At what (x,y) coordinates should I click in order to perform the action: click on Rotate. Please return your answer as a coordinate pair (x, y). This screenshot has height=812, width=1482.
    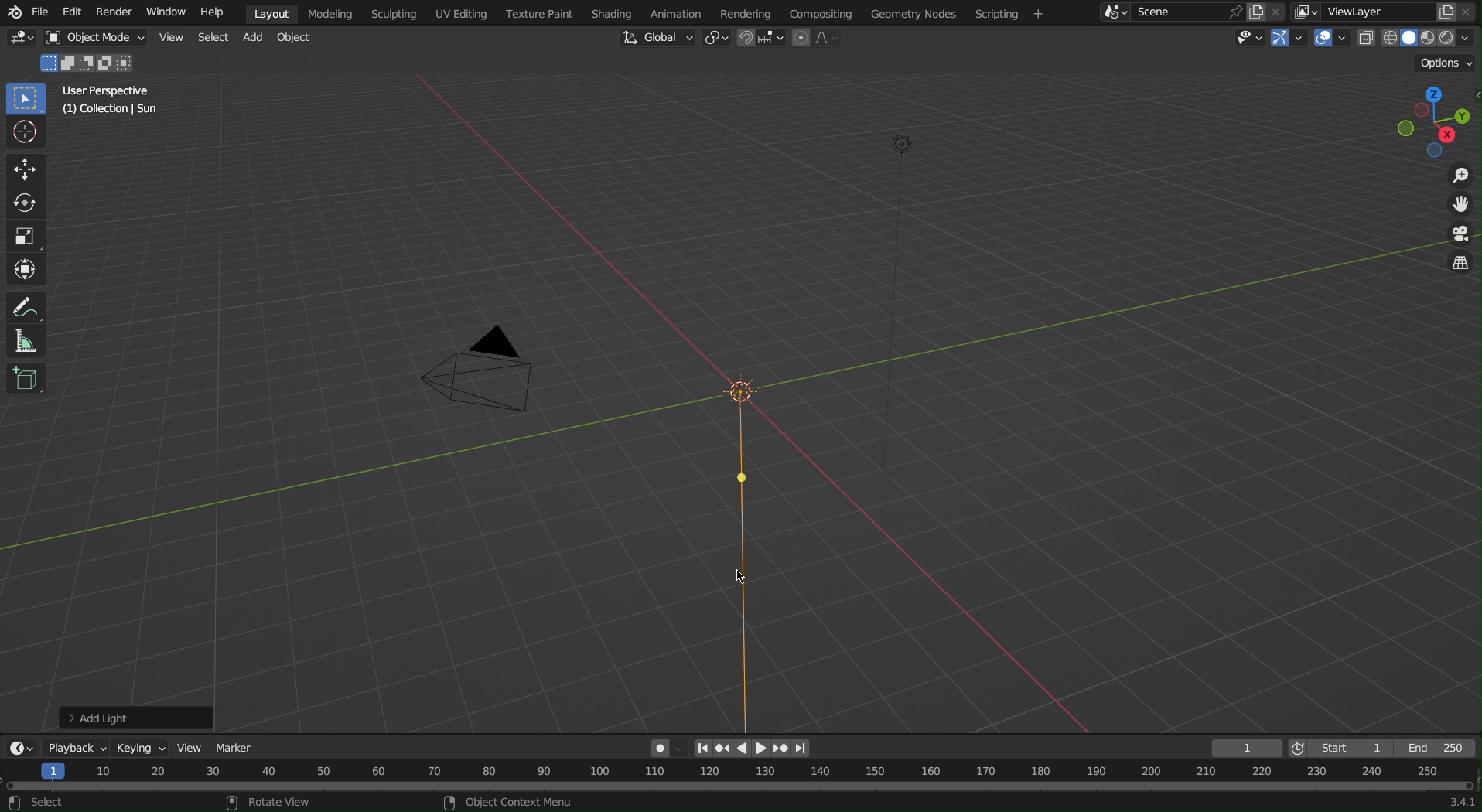
    Looking at the image, I should click on (28, 204).